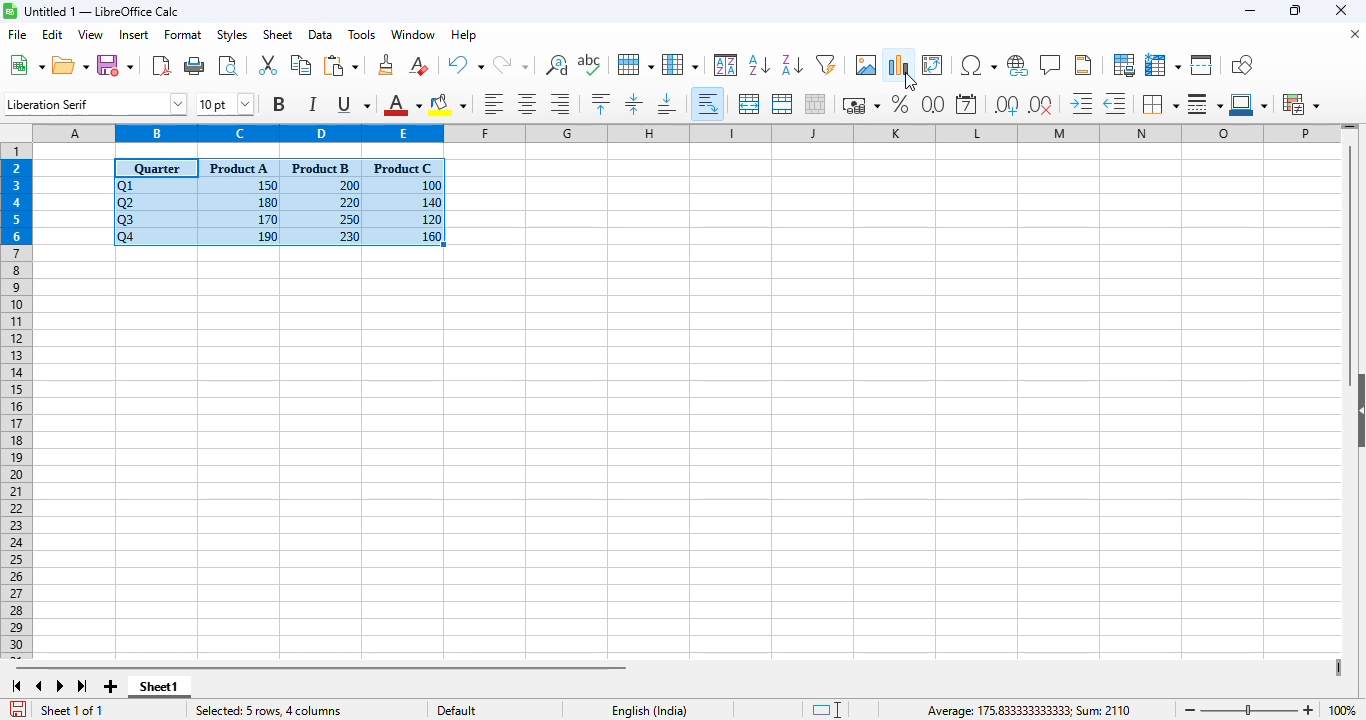 Image resolution: width=1366 pixels, height=720 pixels. What do you see at coordinates (590, 65) in the screenshot?
I see `spelling` at bounding box center [590, 65].